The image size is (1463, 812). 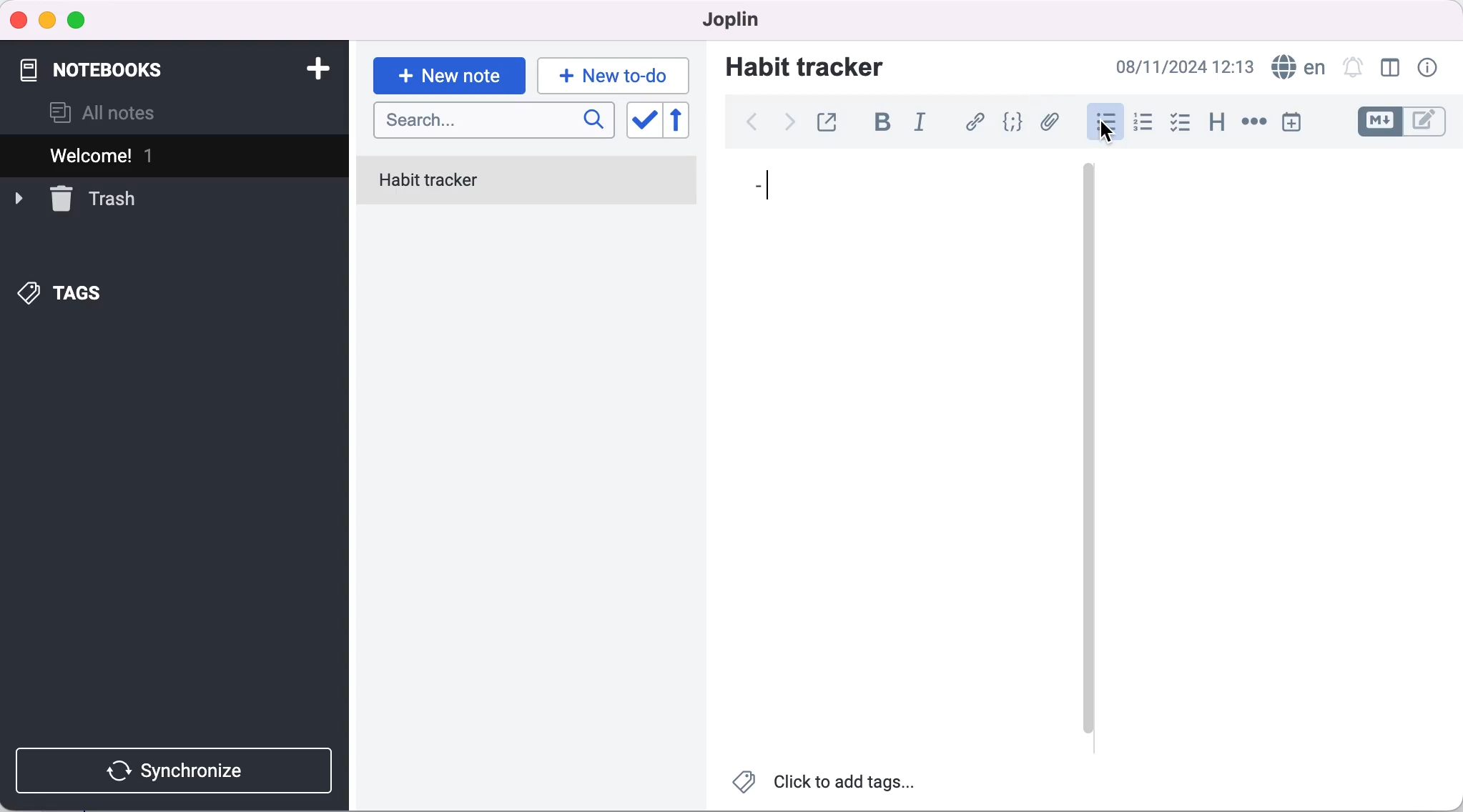 I want to click on horizontal rule, so click(x=1253, y=123).